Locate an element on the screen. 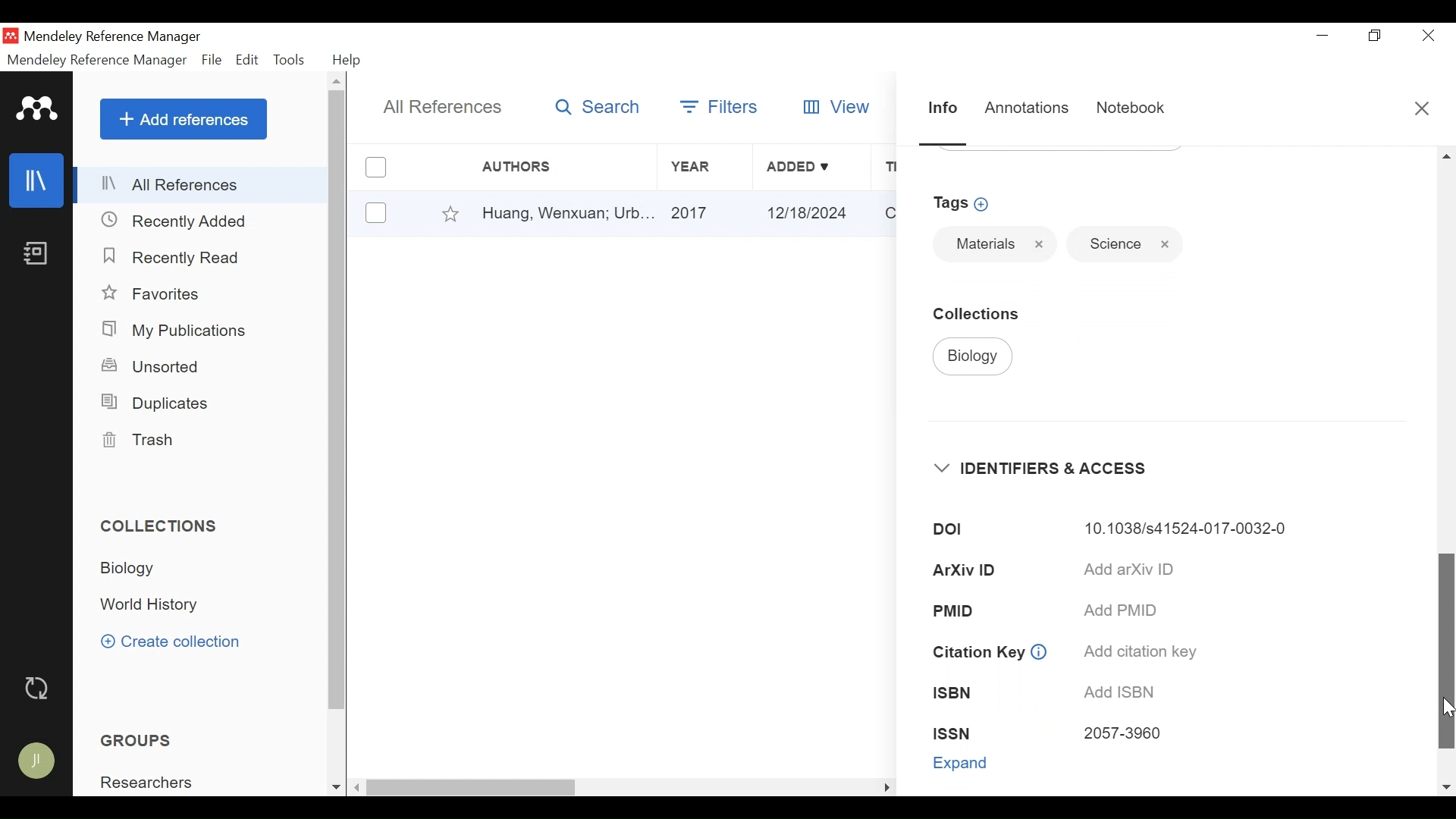  Scroll up is located at coordinates (338, 82).